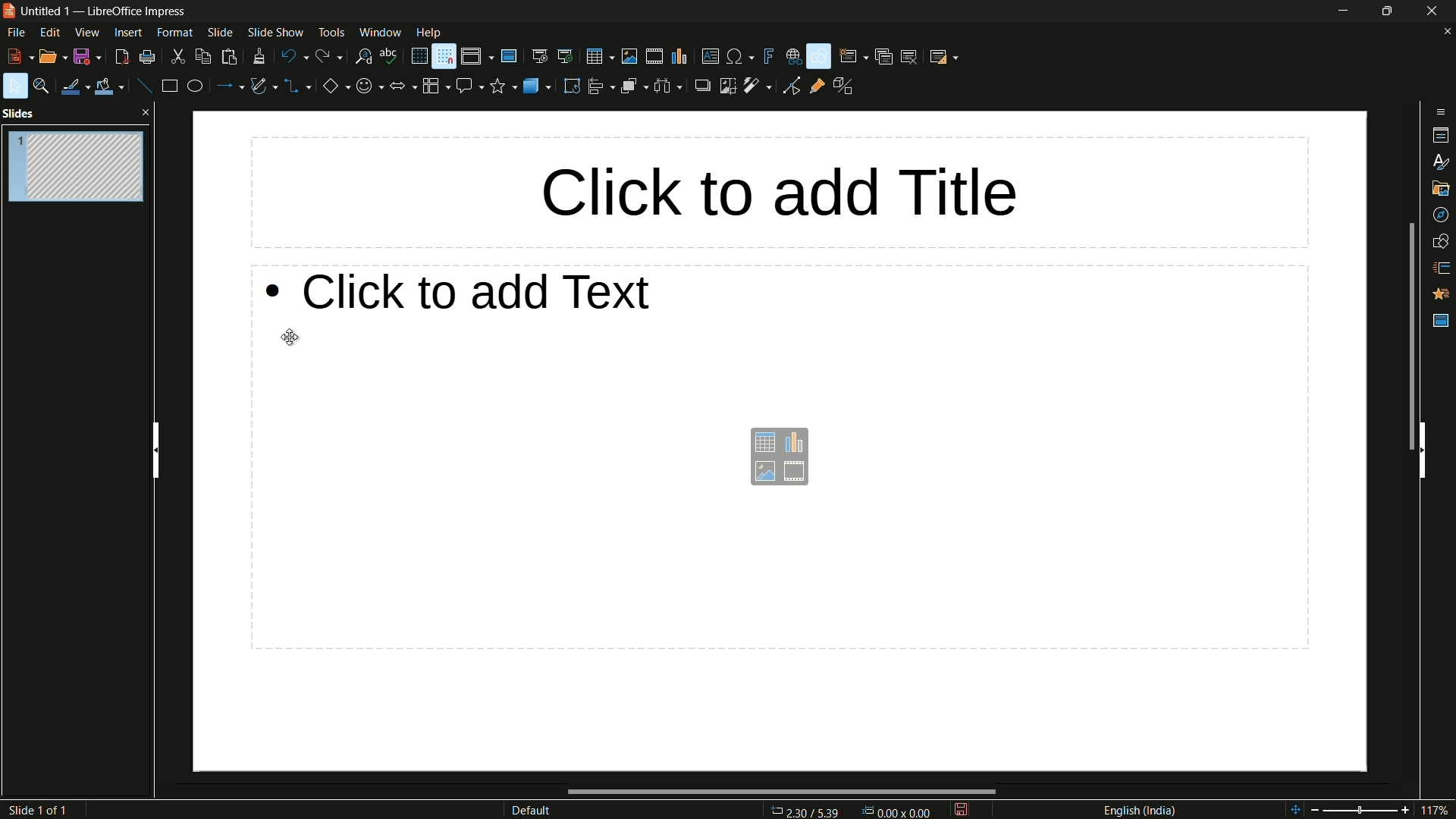  What do you see at coordinates (145, 113) in the screenshot?
I see `close pane` at bounding box center [145, 113].